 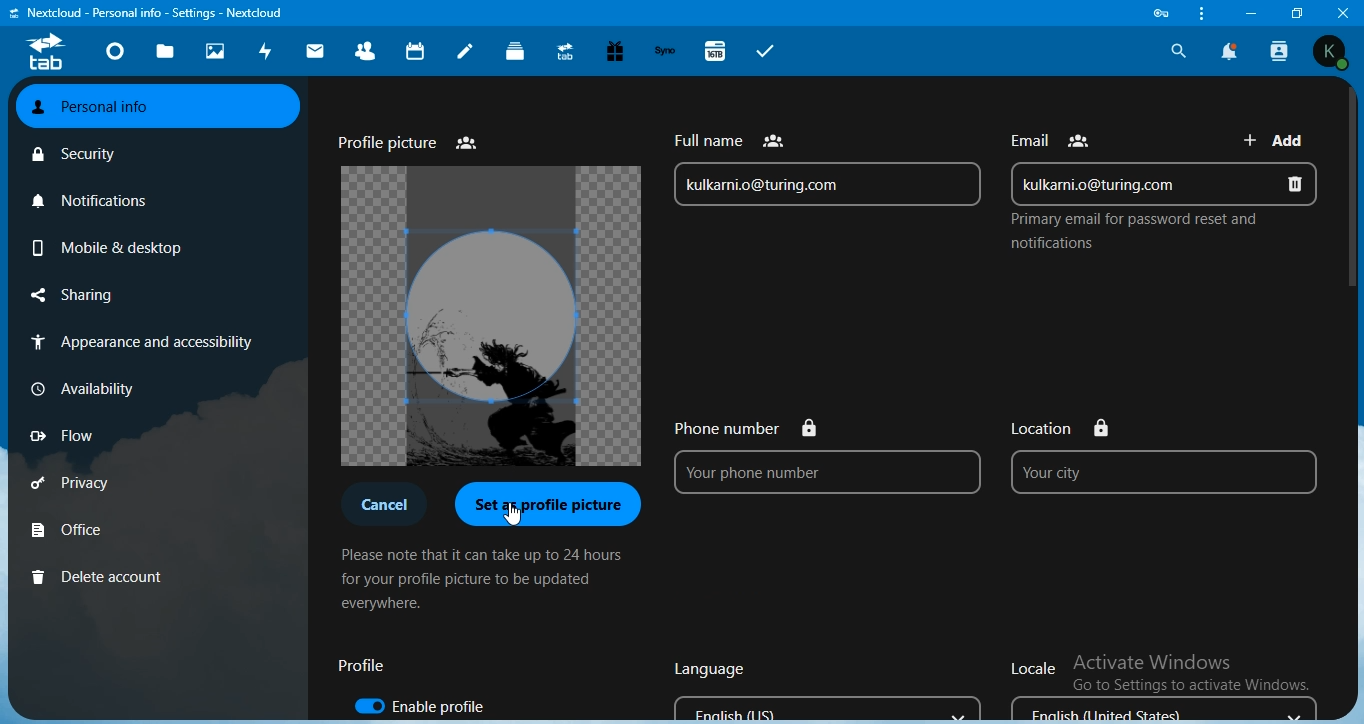 What do you see at coordinates (1176, 50) in the screenshot?
I see `search` at bounding box center [1176, 50].